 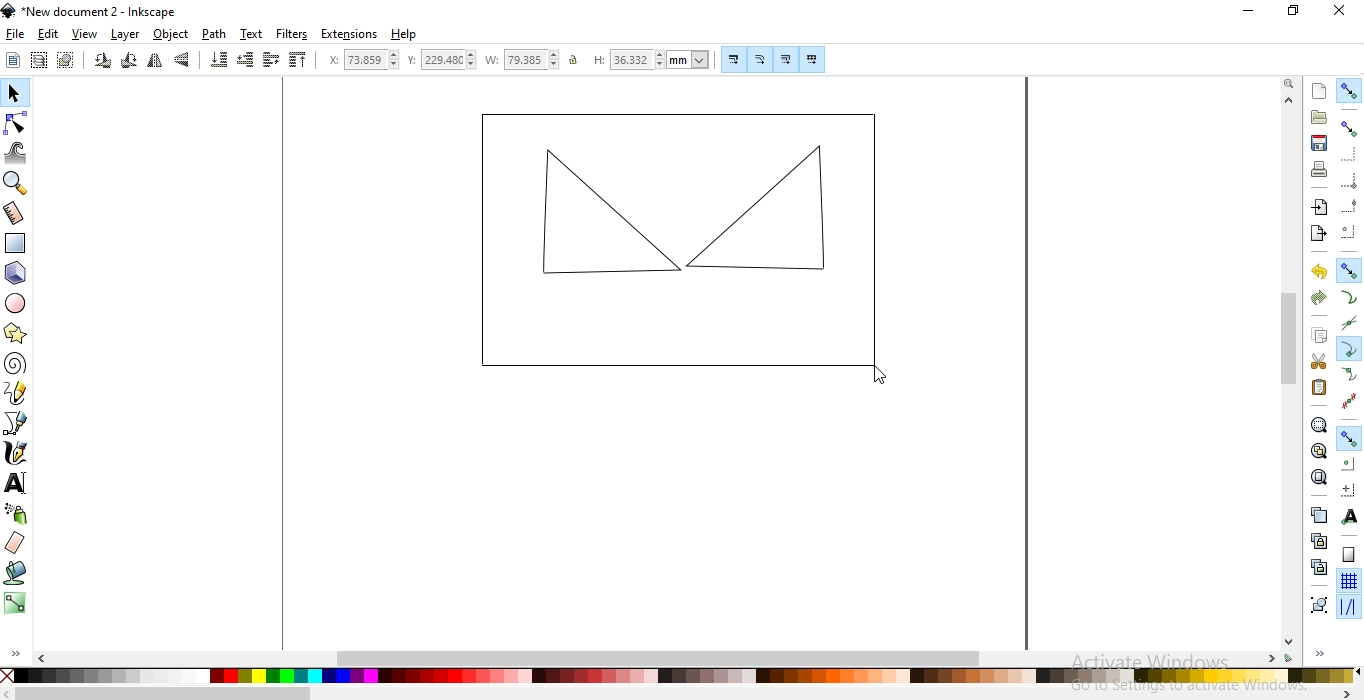 I want to click on fill bounded areas, so click(x=17, y=572).